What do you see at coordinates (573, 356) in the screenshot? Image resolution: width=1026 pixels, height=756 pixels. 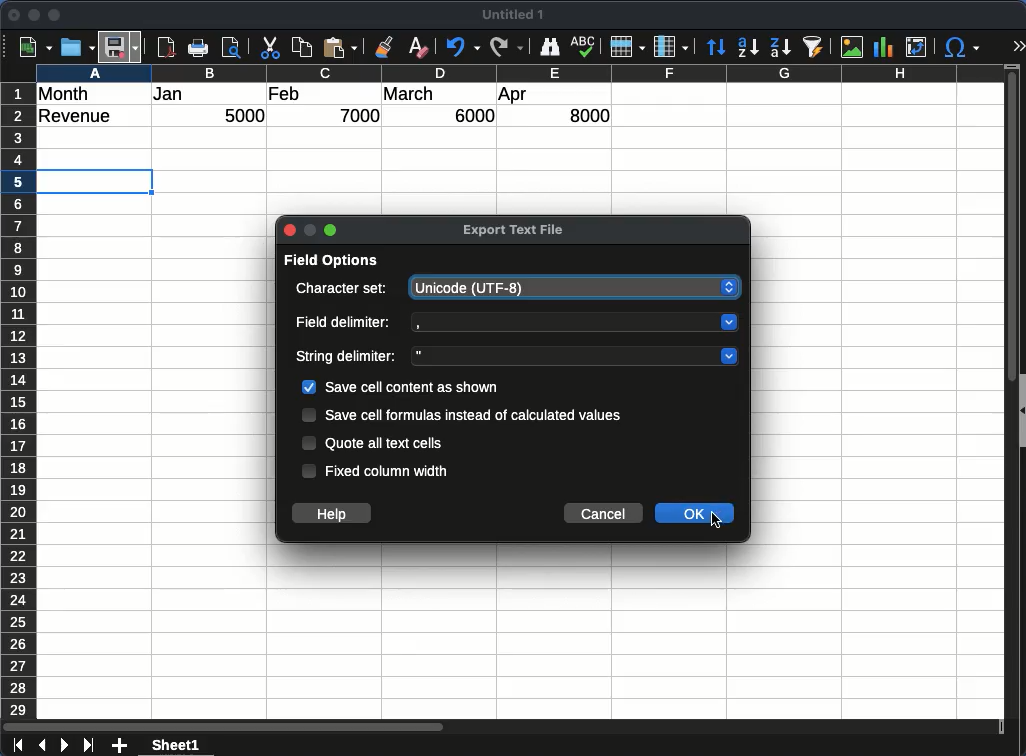 I see `"` at bounding box center [573, 356].